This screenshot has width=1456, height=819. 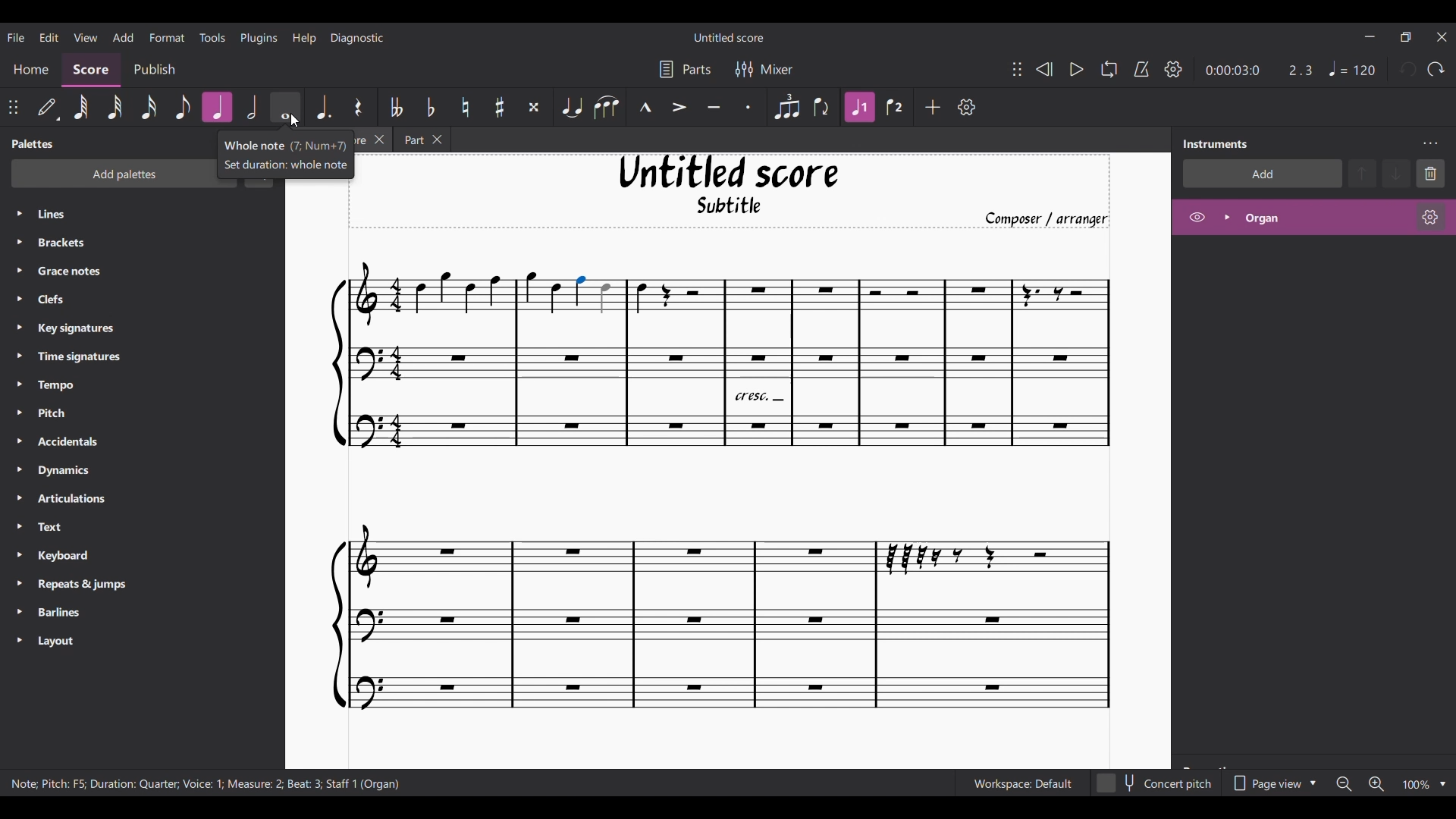 I want to click on Diagnostic menu, so click(x=357, y=38).